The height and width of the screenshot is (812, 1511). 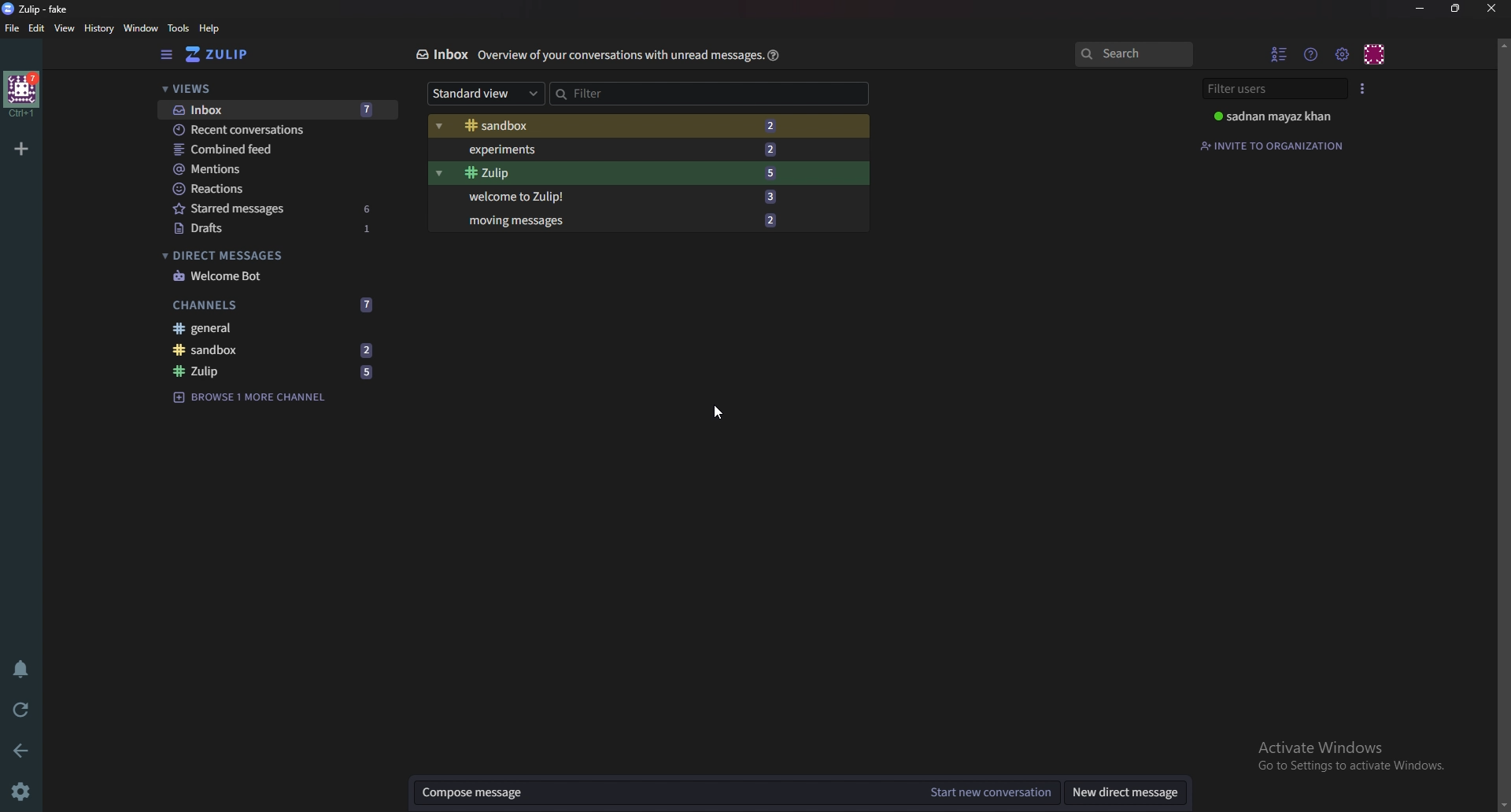 I want to click on start new conversation, so click(x=990, y=792).